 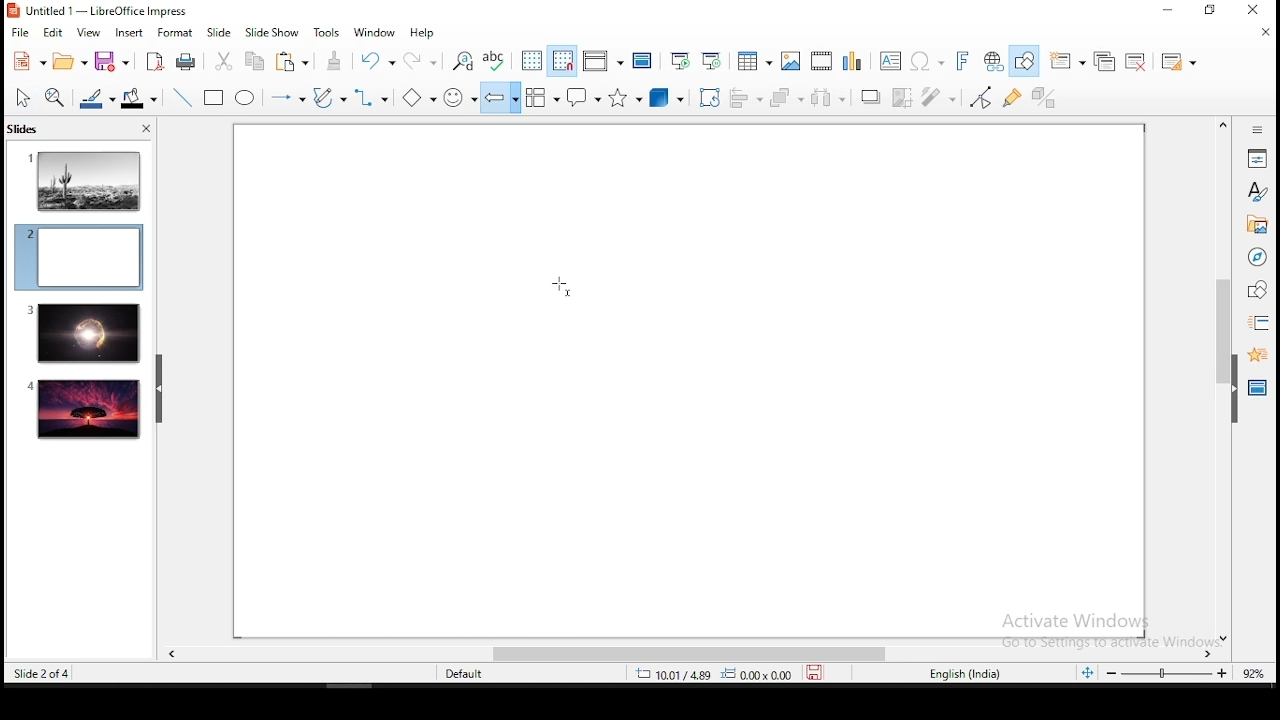 What do you see at coordinates (144, 131) in the screenshot?
I see `close` at bounding box center [144, 131].